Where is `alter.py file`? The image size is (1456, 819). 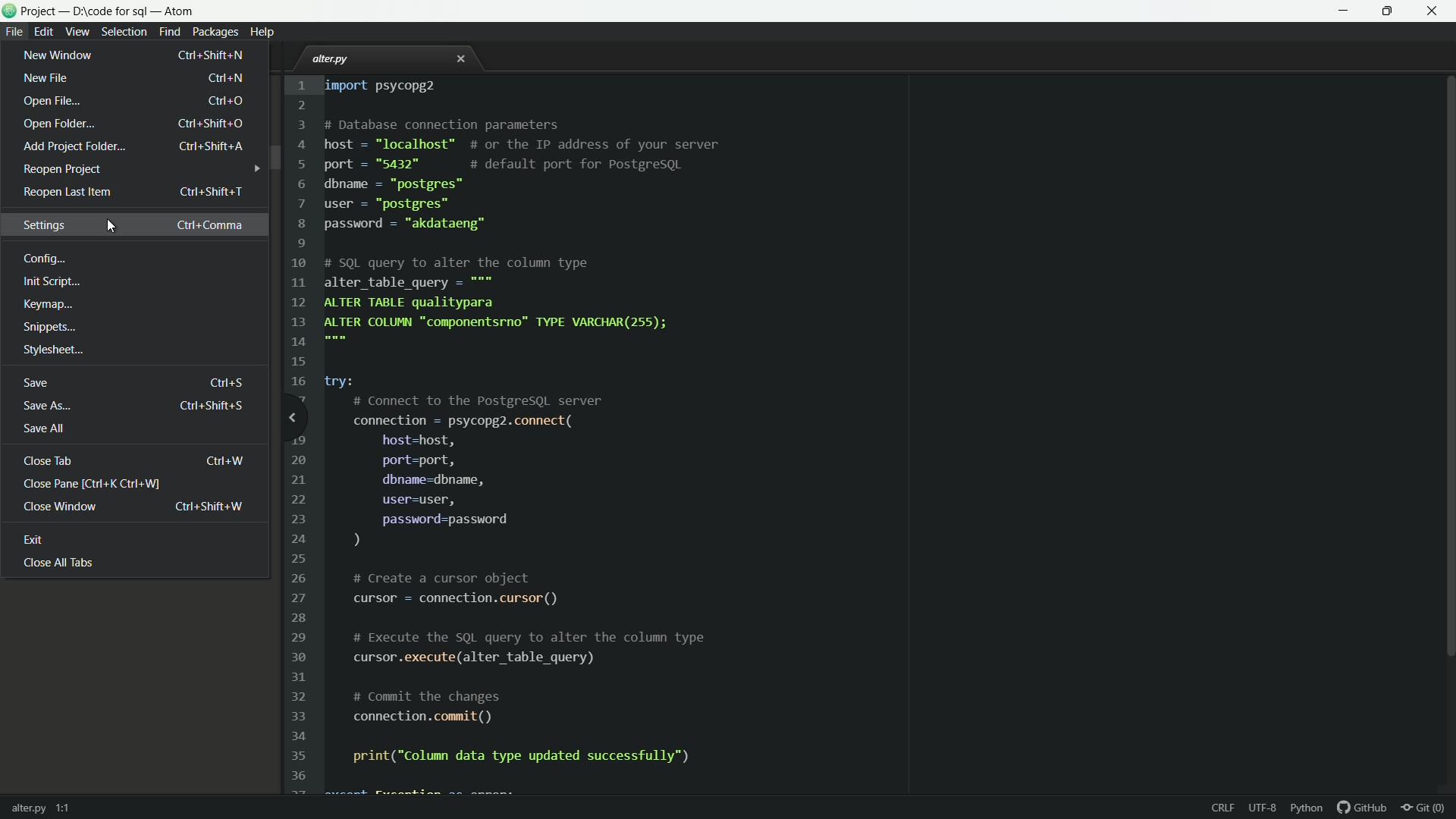 alter.py file is located at coordinates (334, 59).